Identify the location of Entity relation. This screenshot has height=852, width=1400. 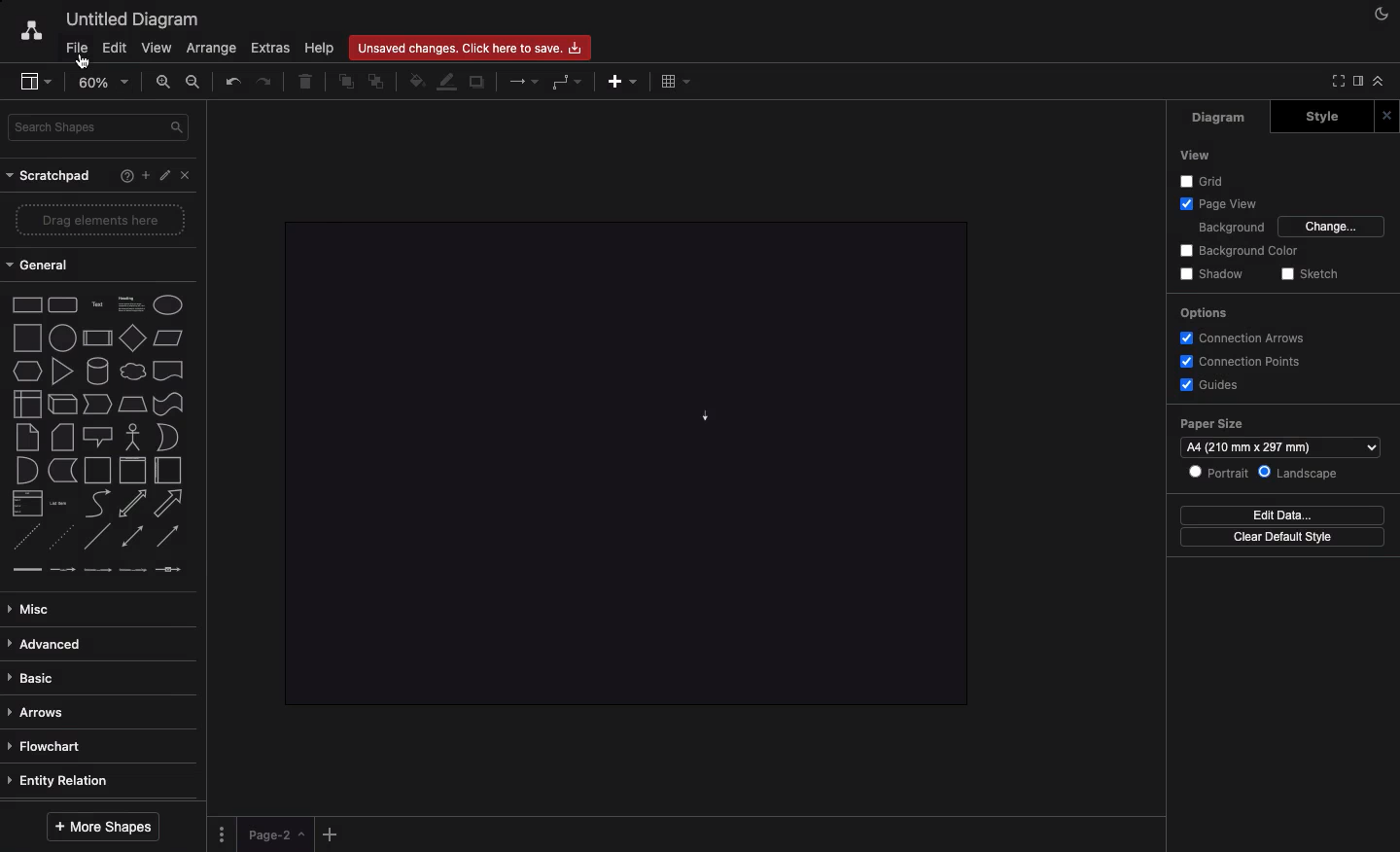
(67, 780).